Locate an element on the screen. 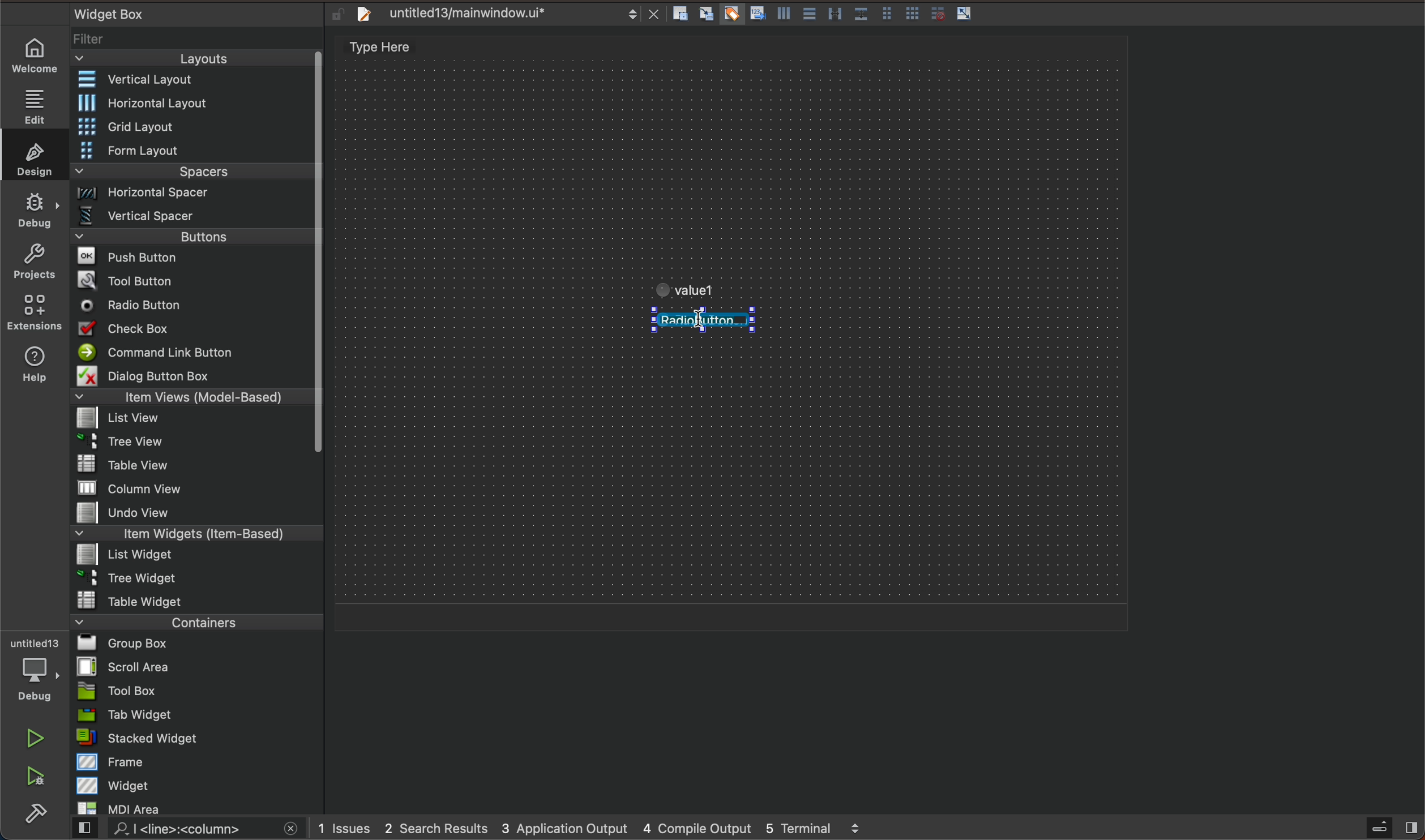 The image size is (1425, 840).  is located at coordinates (913, 15).